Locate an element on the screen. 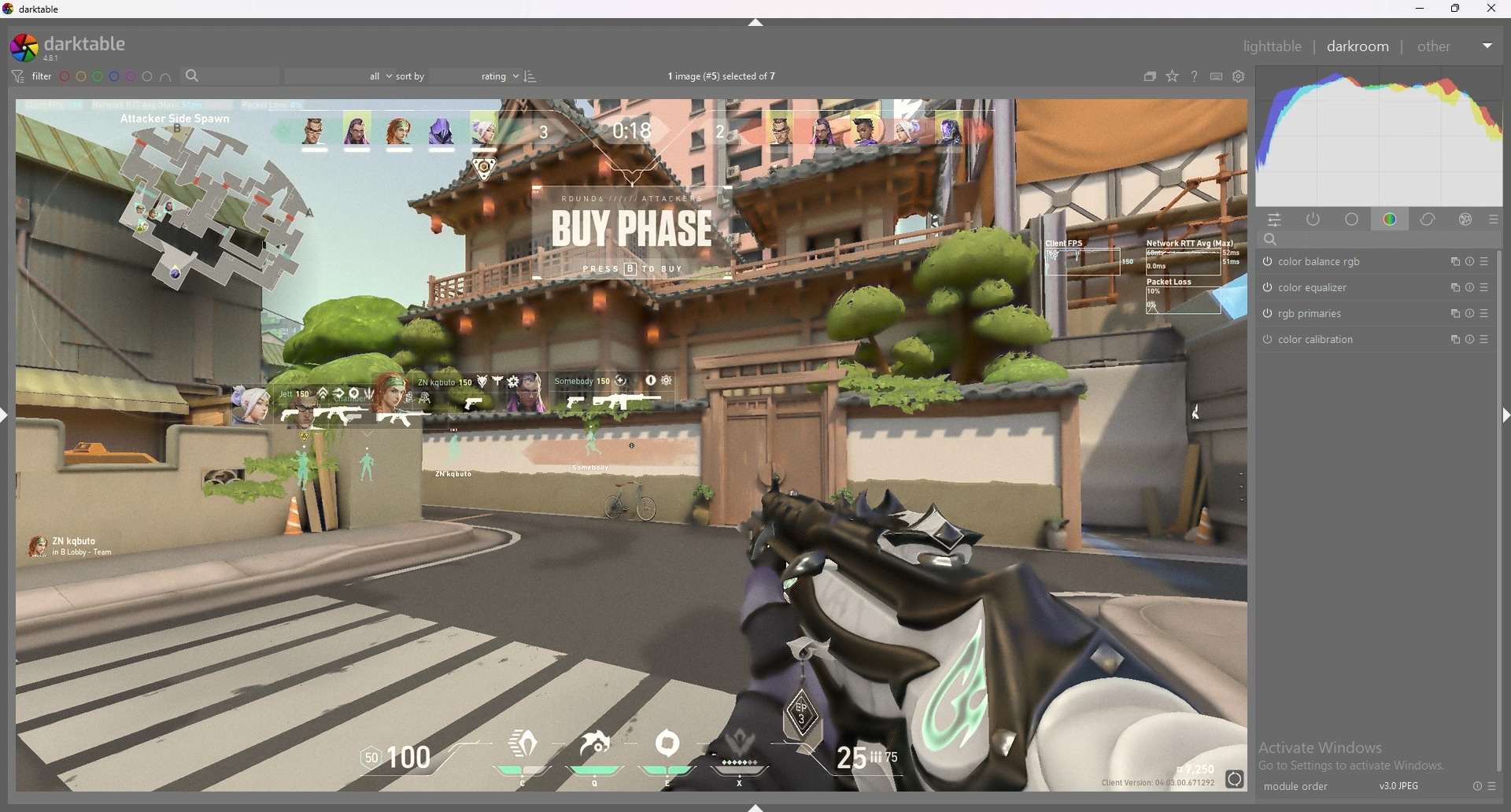 This screenshot has height=812, width=1511. scroll bar is located at coordinates (1495, 600).